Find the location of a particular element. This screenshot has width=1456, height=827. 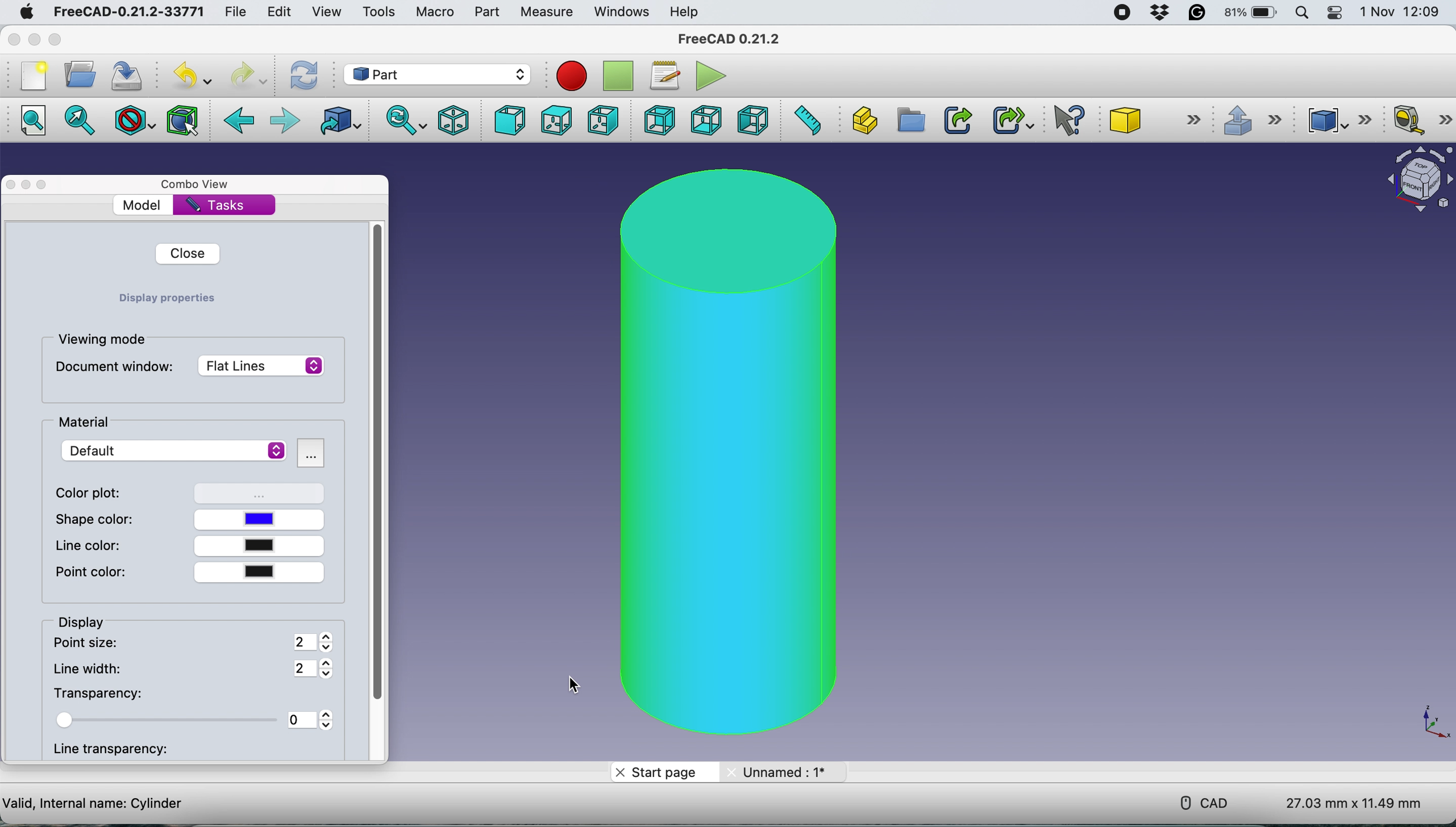

windows is located at coordinates (623, 14).